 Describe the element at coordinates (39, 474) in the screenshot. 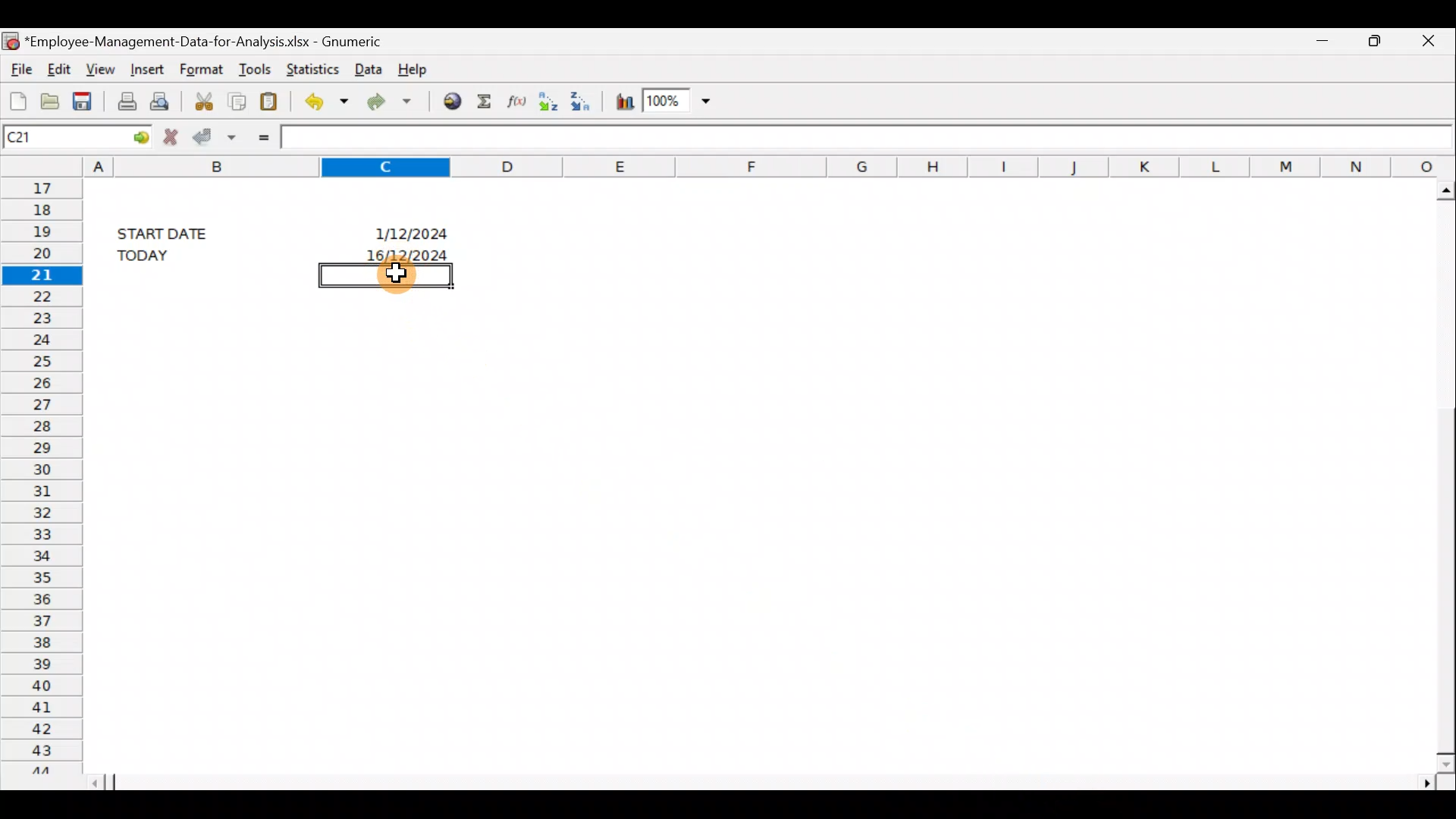

I see `Rows` at that location.